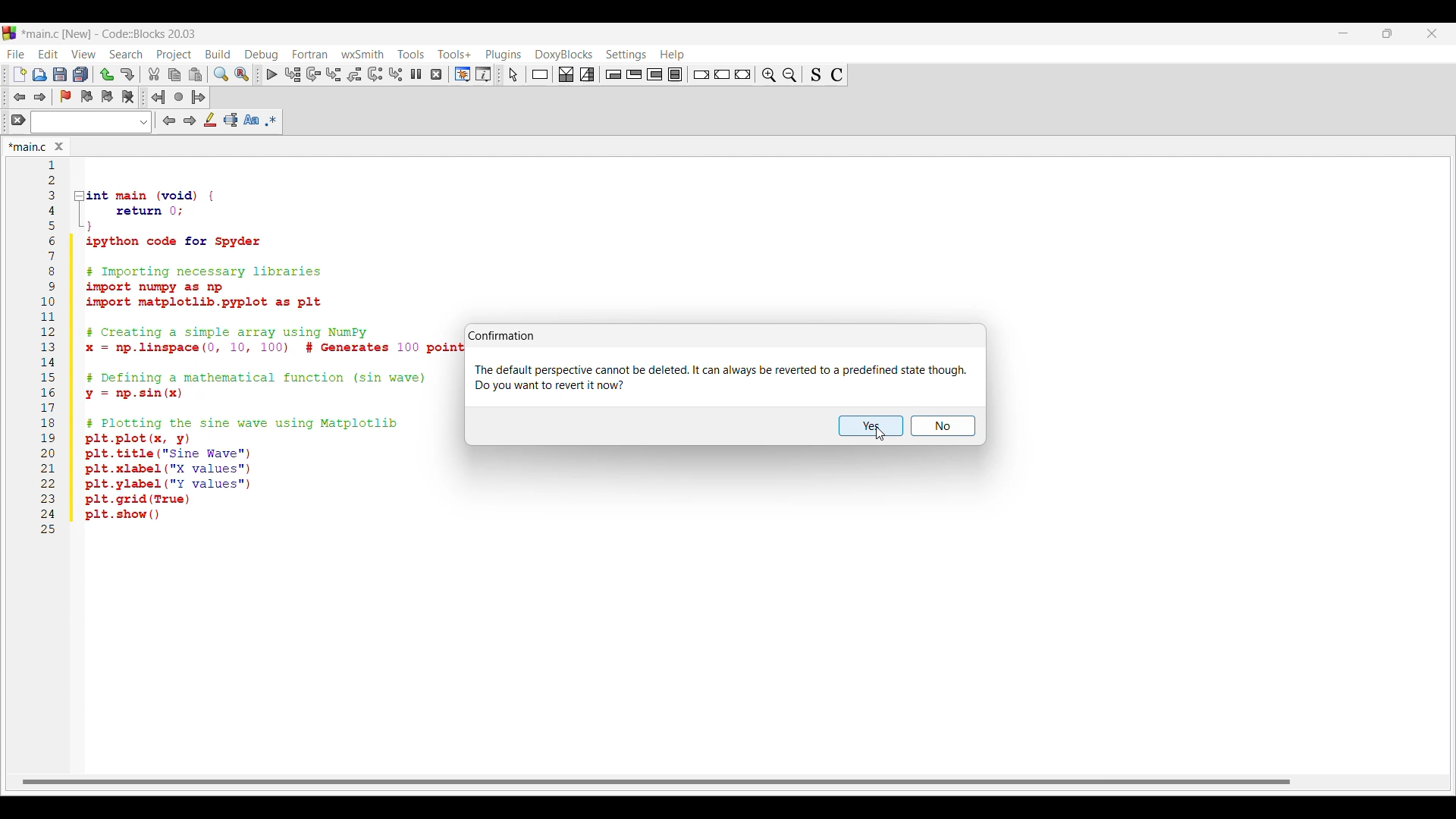 The height and width of the screenshot is (819, 1456). What do you see at coordinates (218, 54) in the screenshot?
I see `Build menu` at bounding box center [218, 54].